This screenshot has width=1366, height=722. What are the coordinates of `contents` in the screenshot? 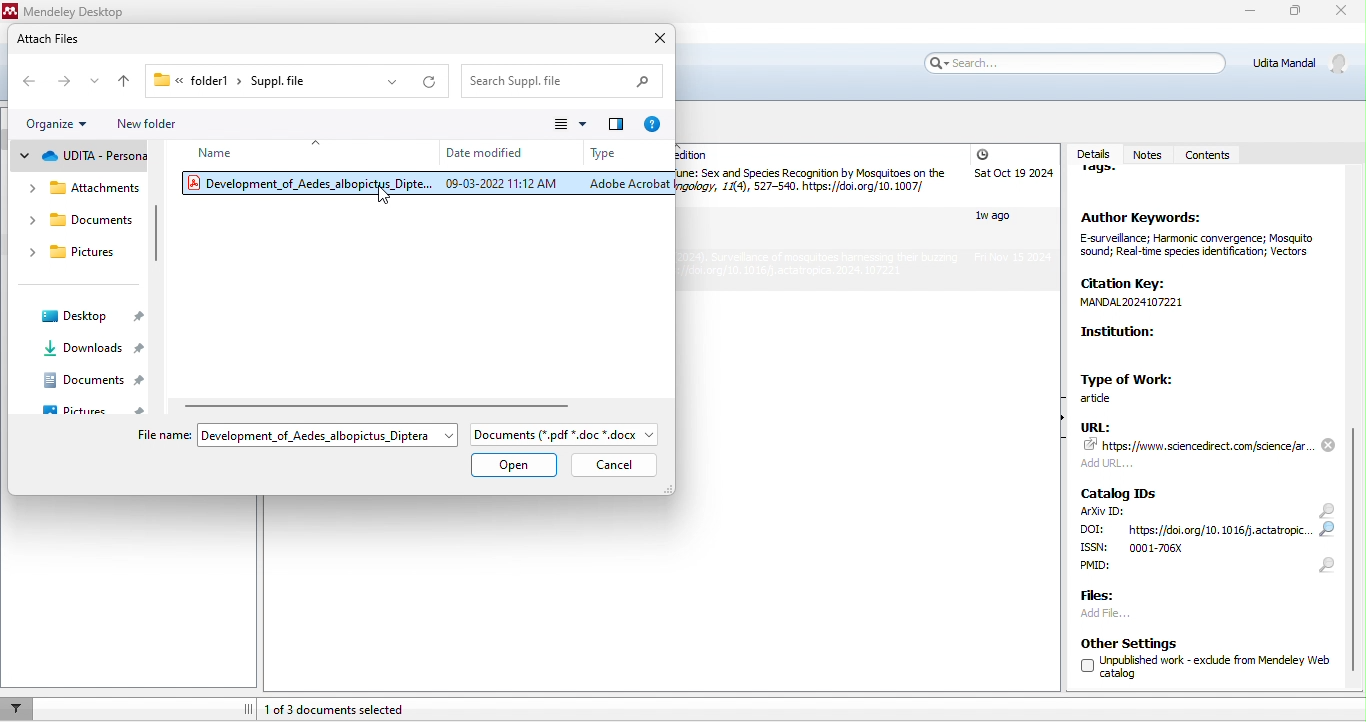 It's located at (1210, 156).